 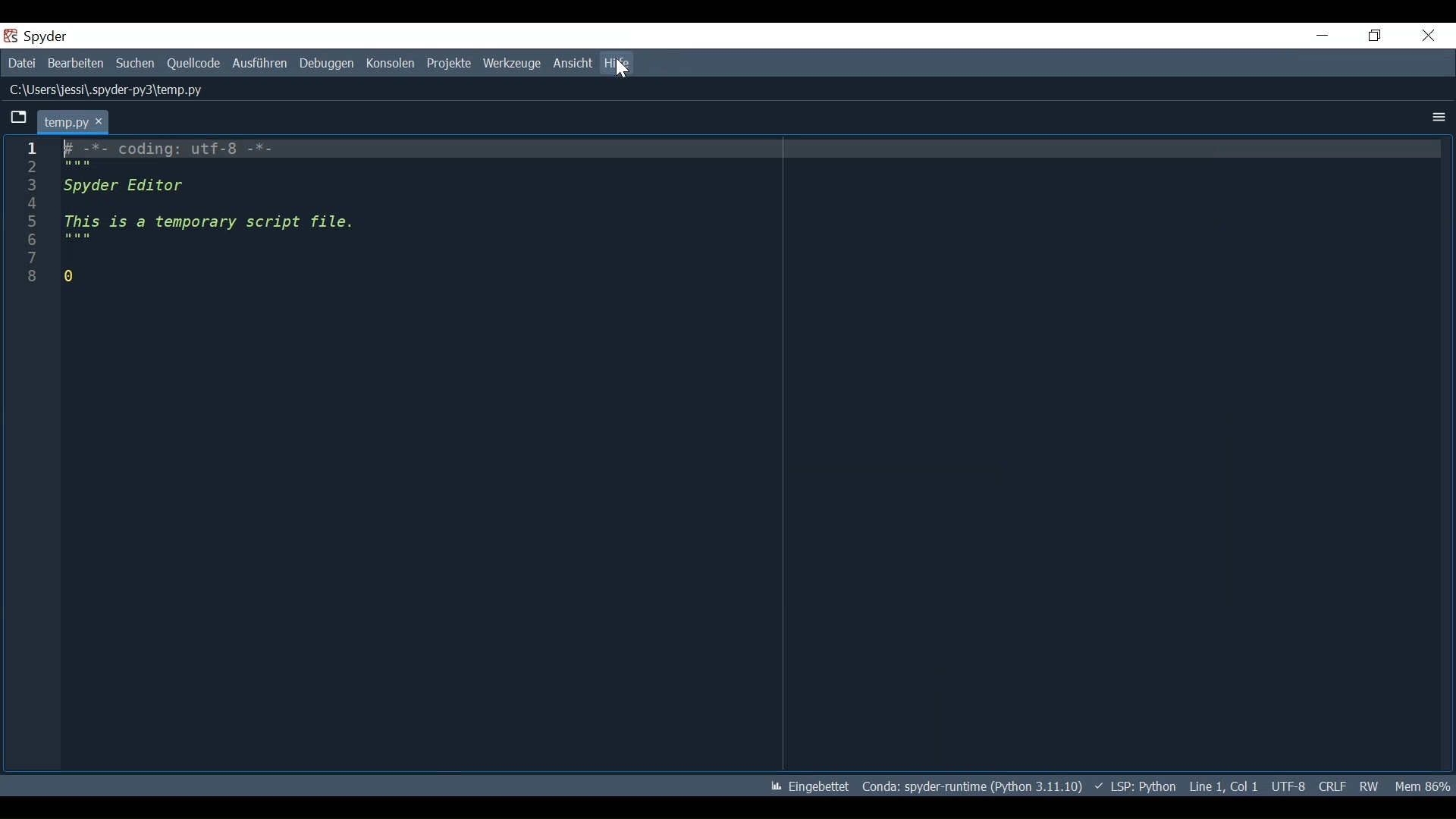 I want to click on Edit, so click(x=74, y=64).